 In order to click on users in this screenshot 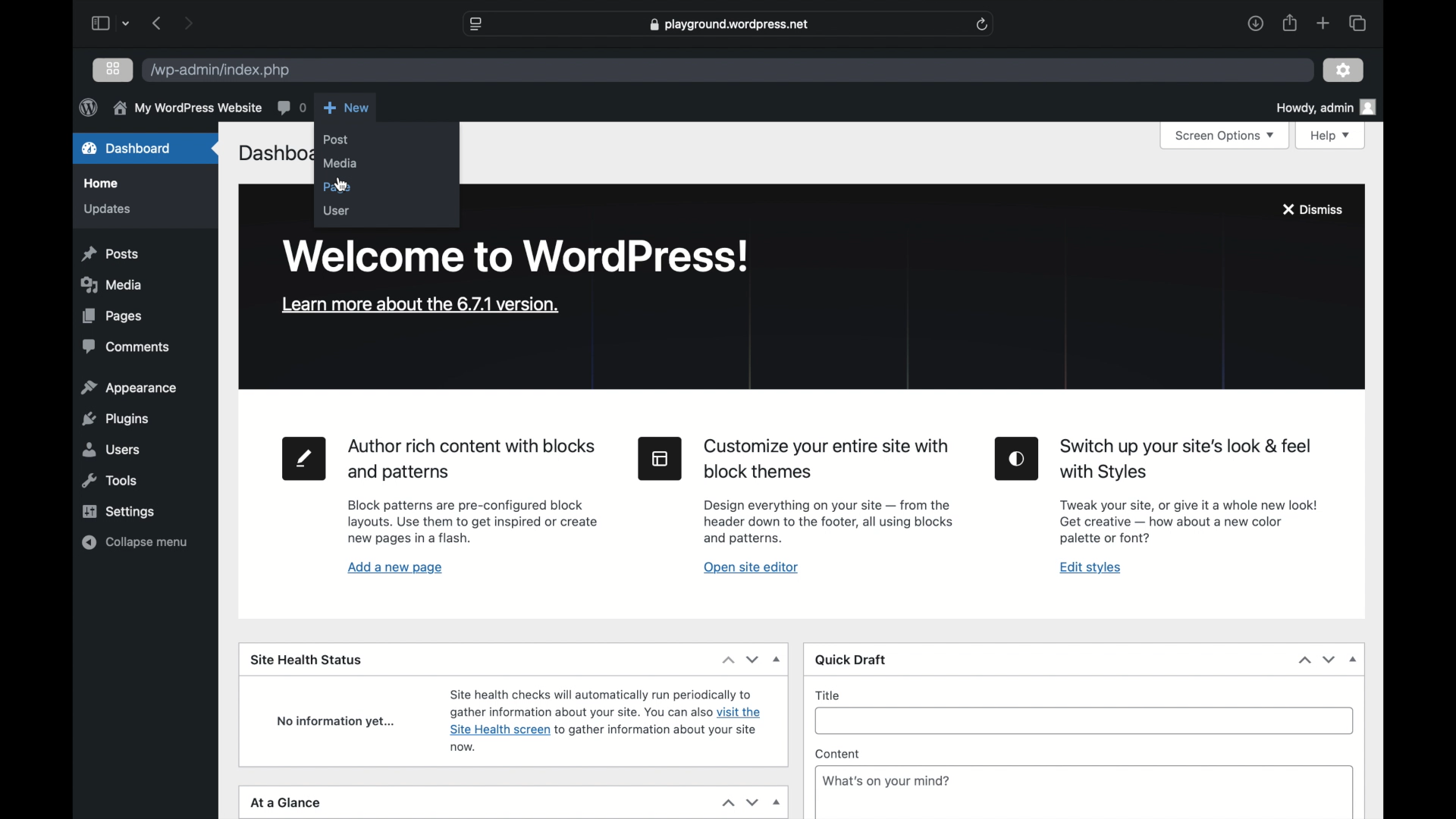, I will do `click(112, 450)`.